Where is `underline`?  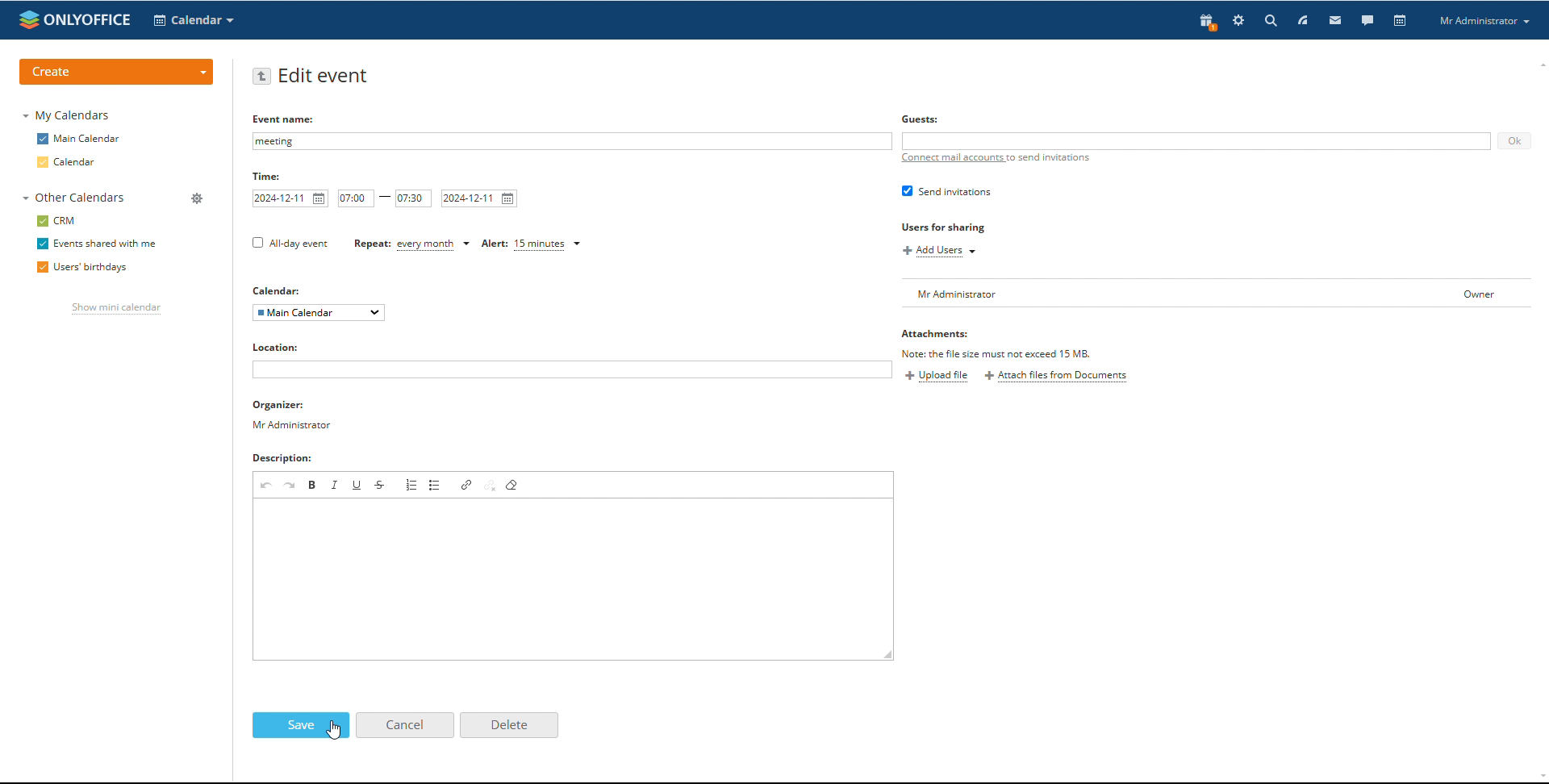
underline is located at coordinates (357, 485).